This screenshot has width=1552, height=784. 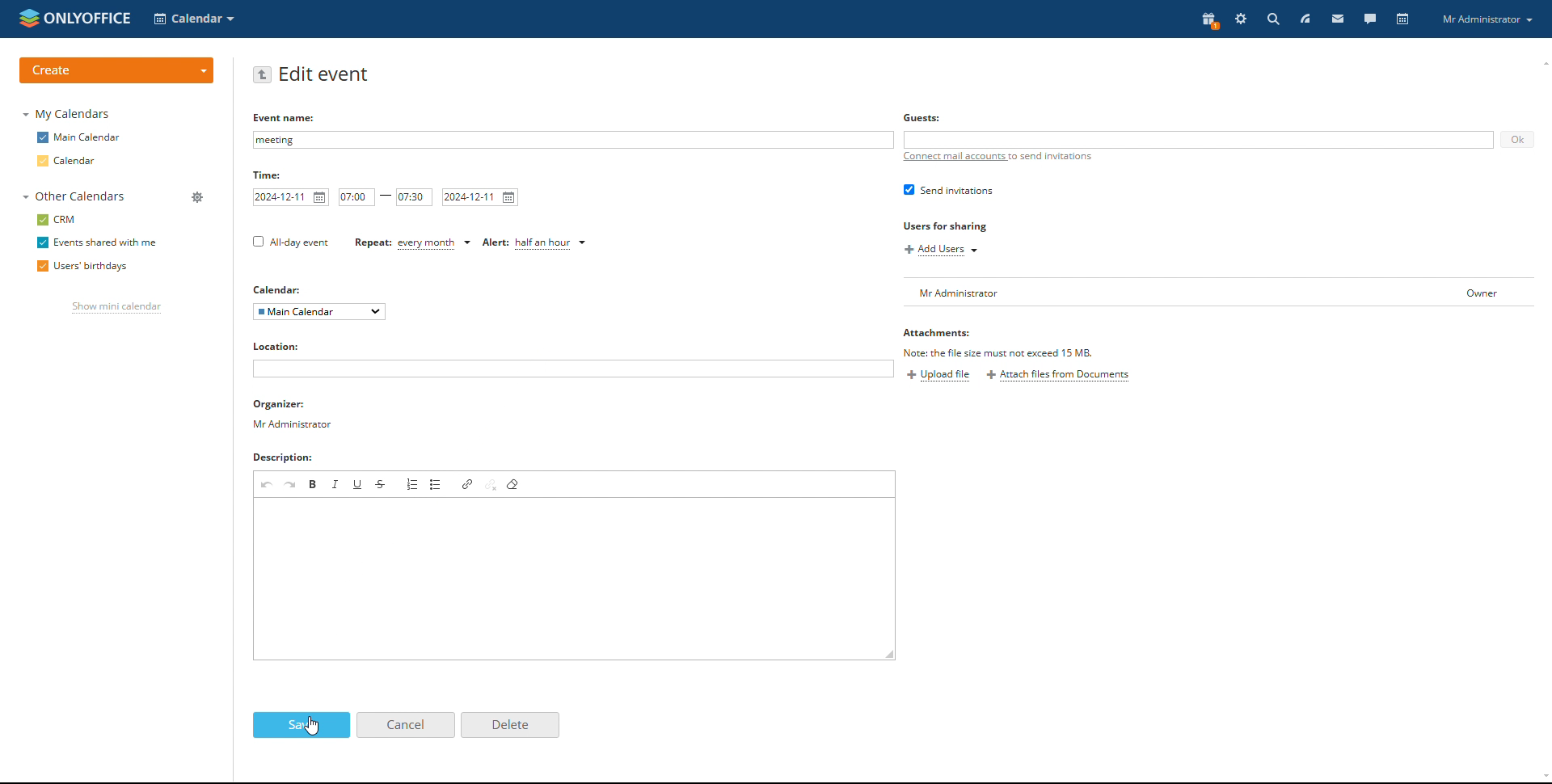 I want to click on ok, so click(x=1517, y=141).